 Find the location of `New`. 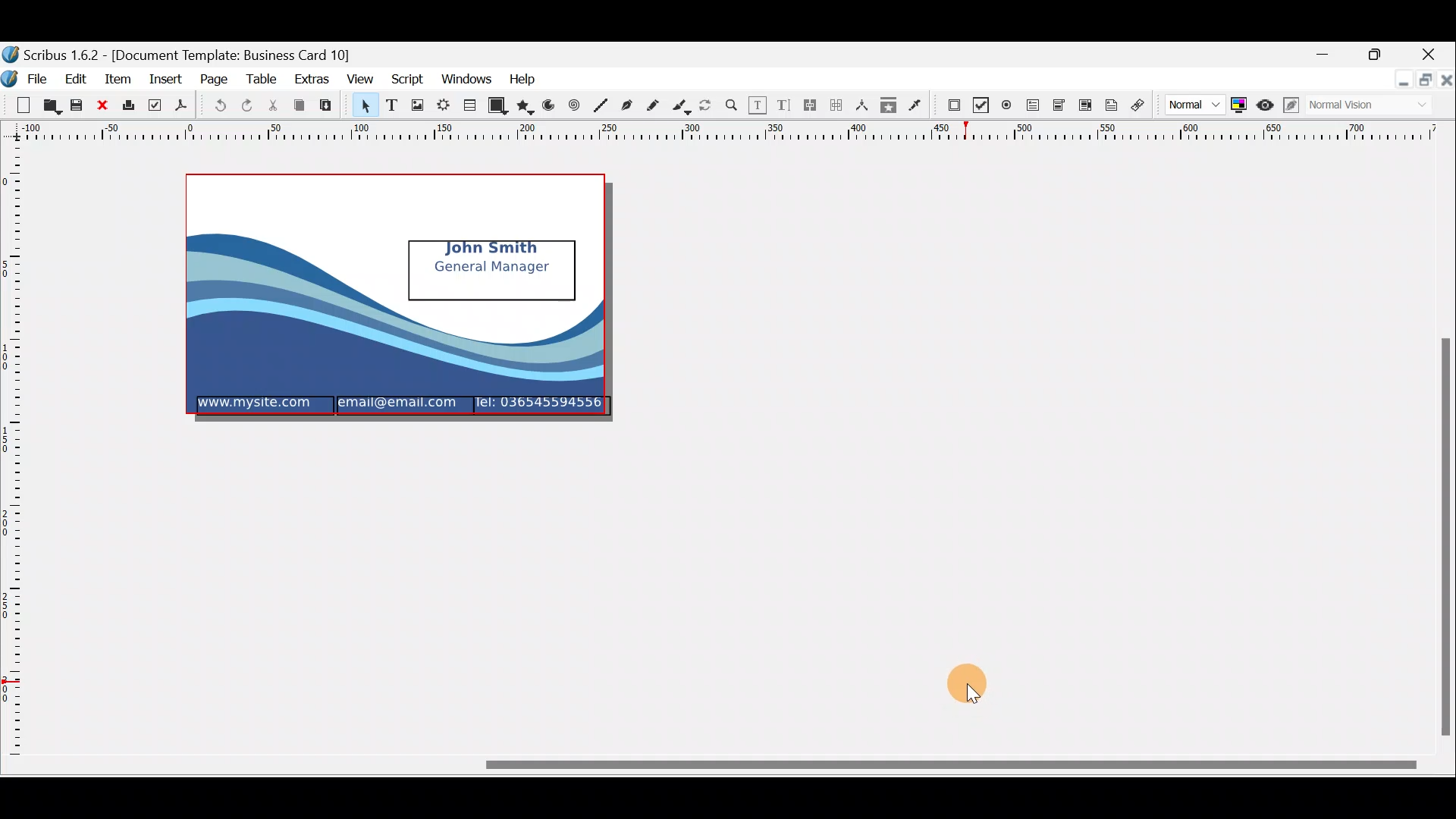

New is located at coordinates (18, 106).